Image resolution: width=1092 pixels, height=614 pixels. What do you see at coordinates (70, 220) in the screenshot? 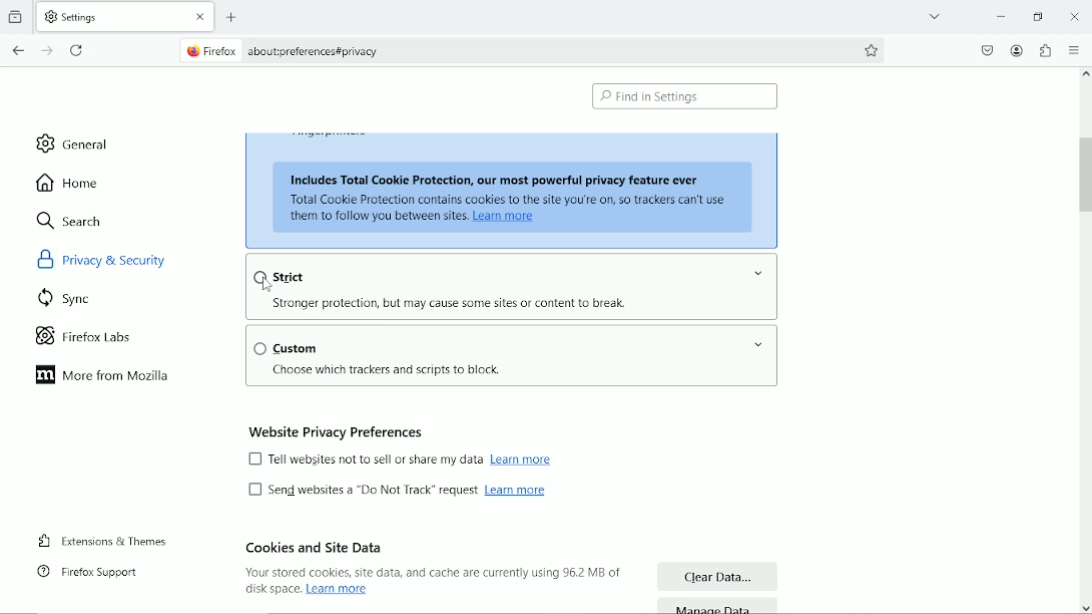
I see `search` at bounding box center [70, 220].